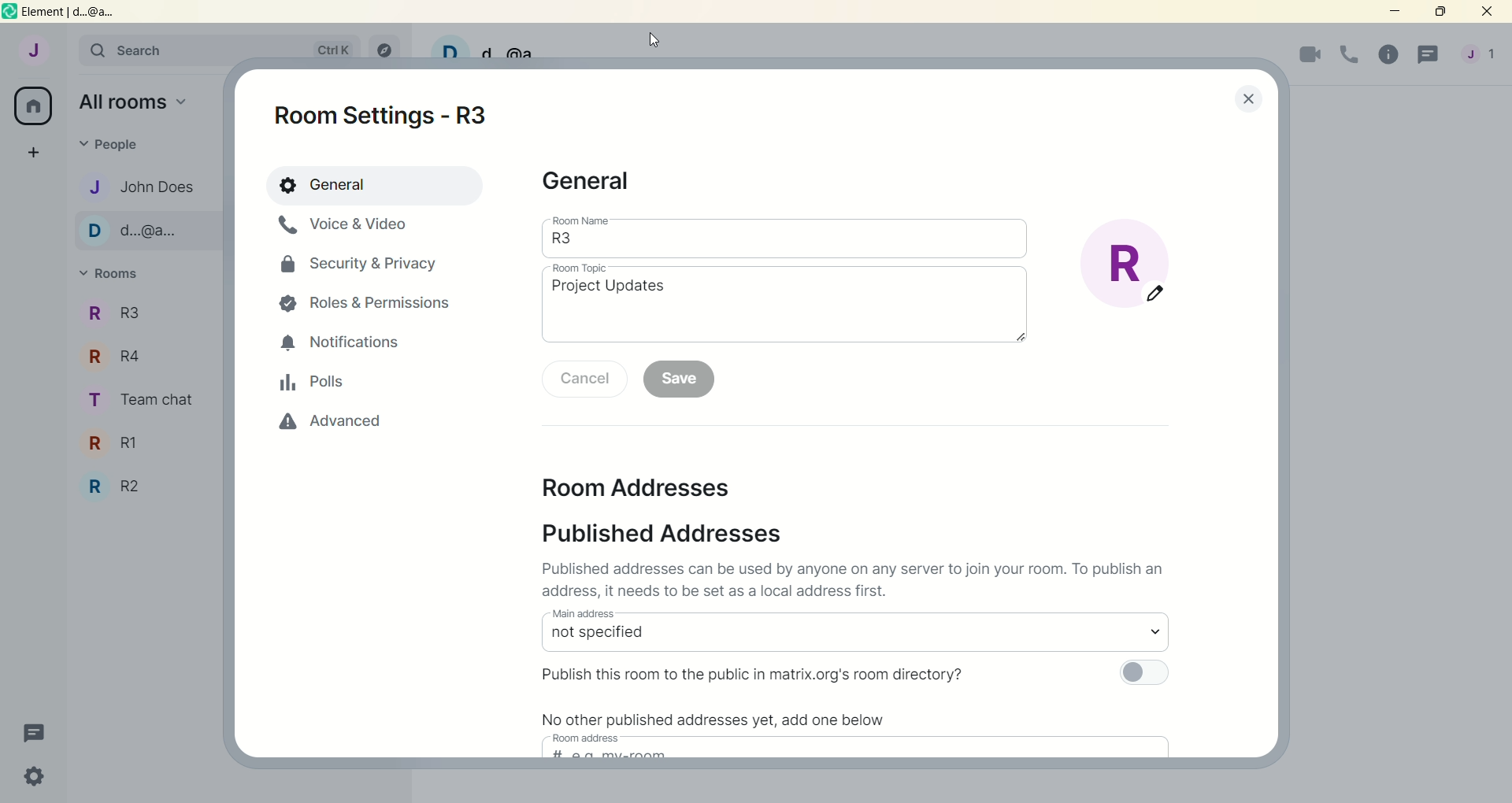  What do you see at coordinates (141, 231) in the screenshot?
I see `d...@...` at bounding box center [141, 231].